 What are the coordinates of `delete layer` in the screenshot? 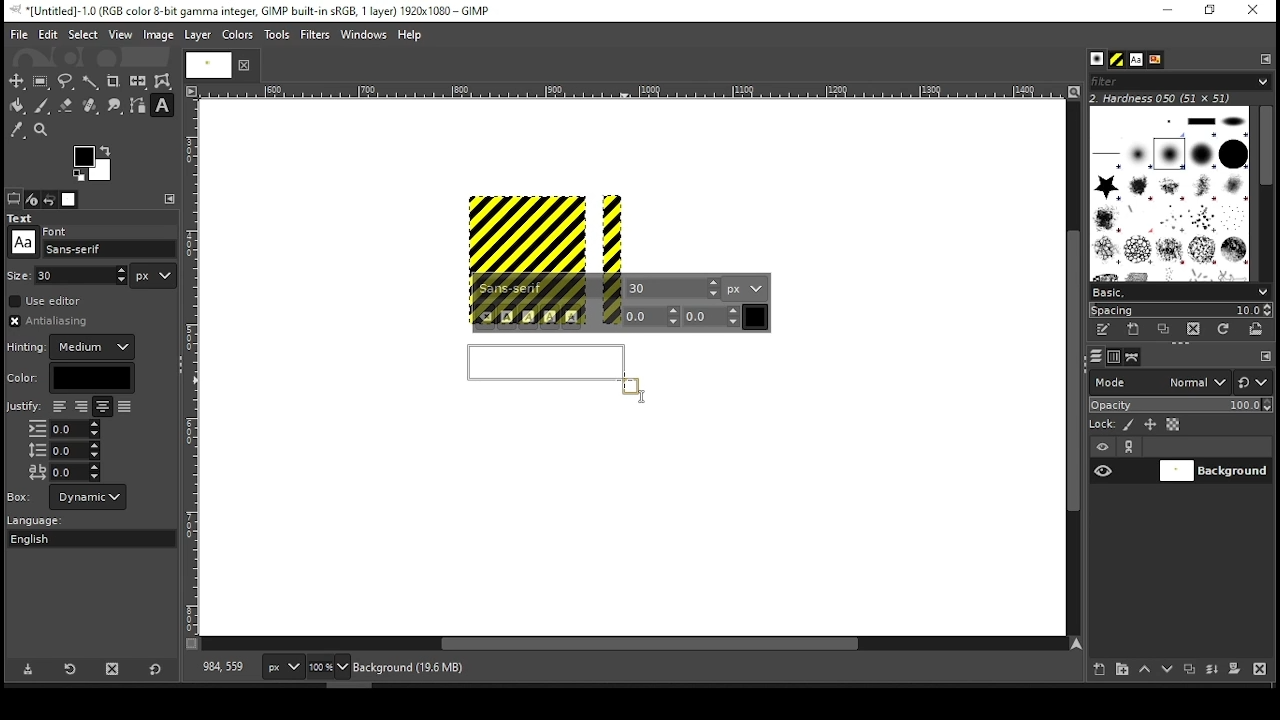 It's located at (1259, 669).